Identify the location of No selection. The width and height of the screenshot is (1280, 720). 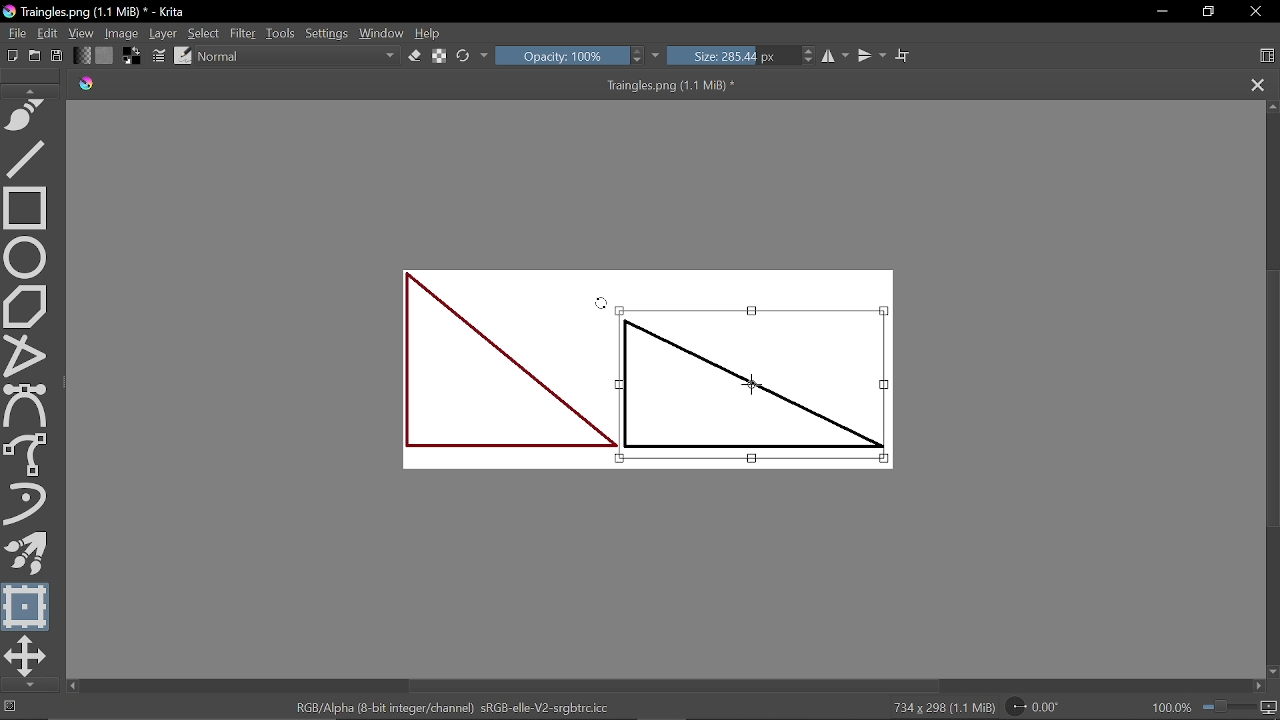
(8, 707).